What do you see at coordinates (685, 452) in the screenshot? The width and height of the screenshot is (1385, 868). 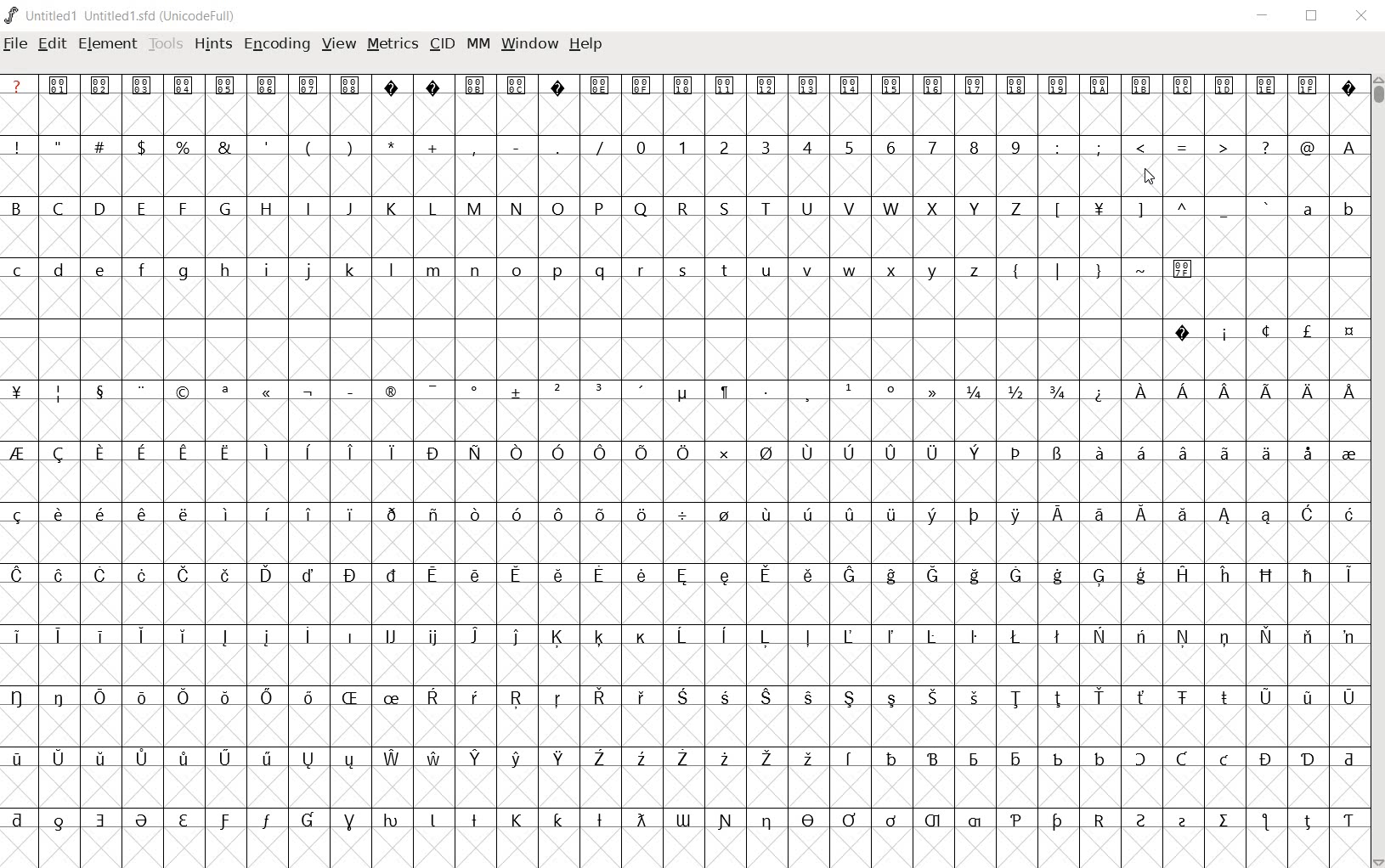 I see `special letters` at bounding box center [685, 452].